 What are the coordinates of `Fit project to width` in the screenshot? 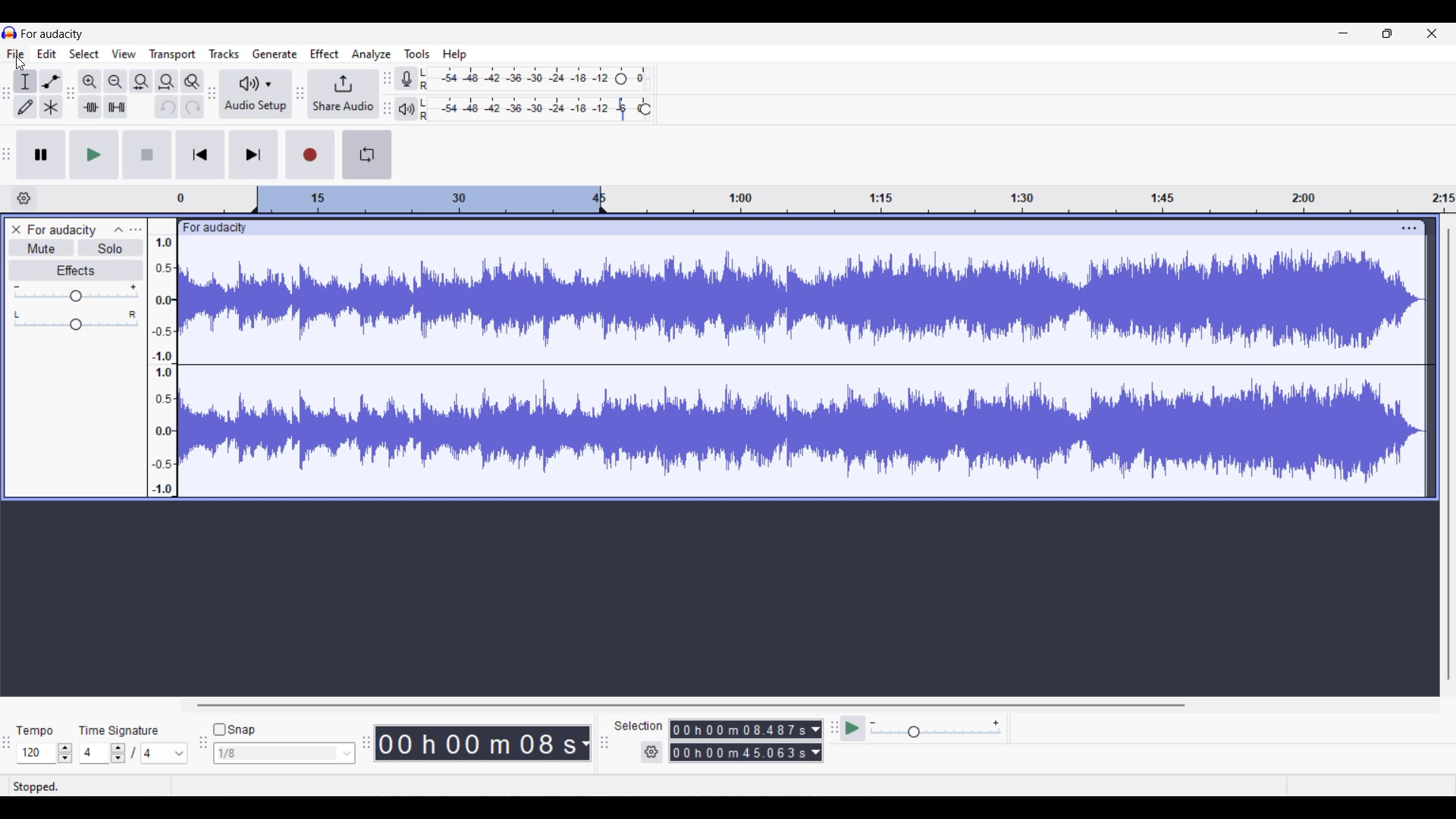 It's located at (168, 82).